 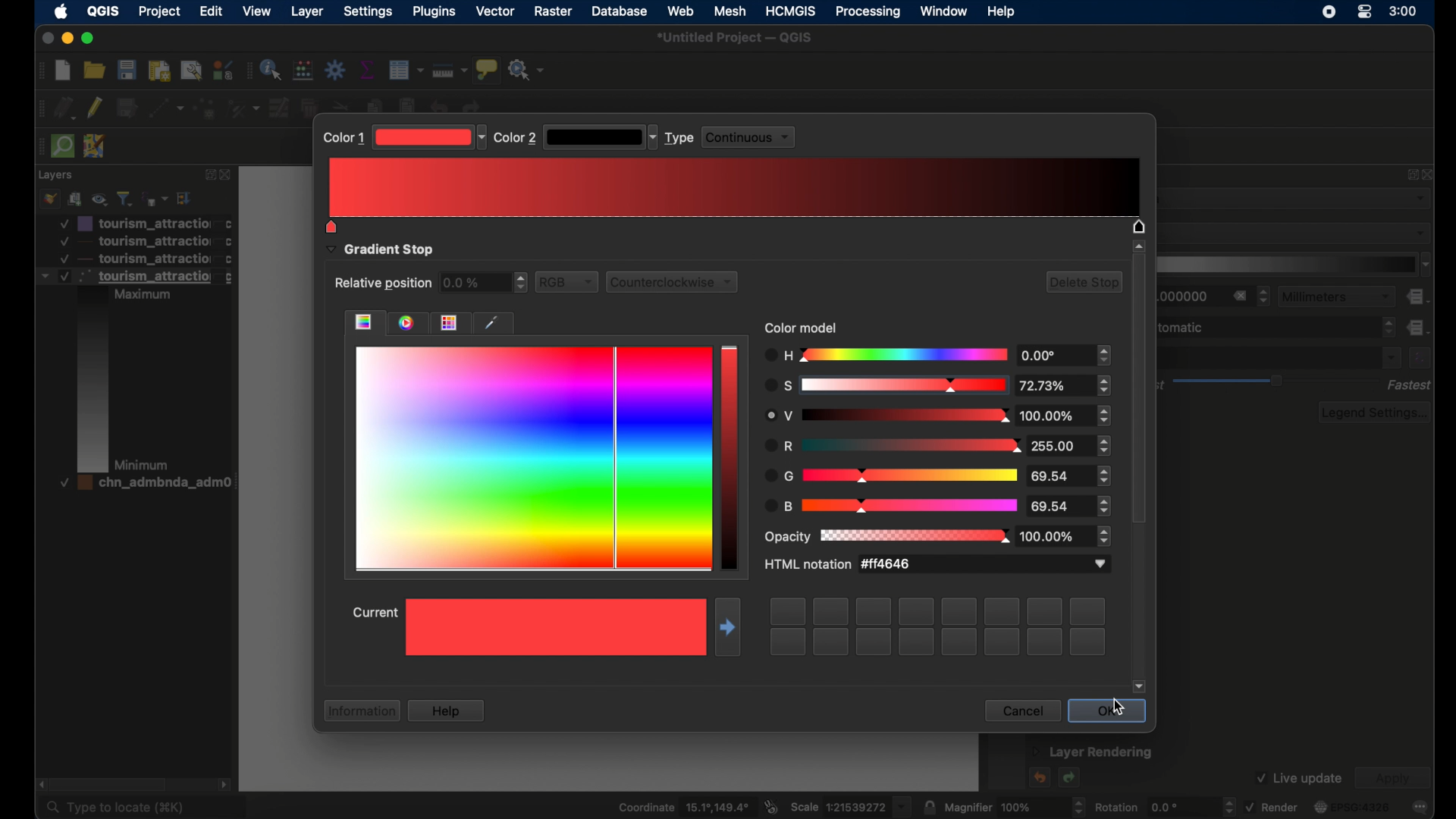 I want to click on apple icon, so click(x=61, y=11).